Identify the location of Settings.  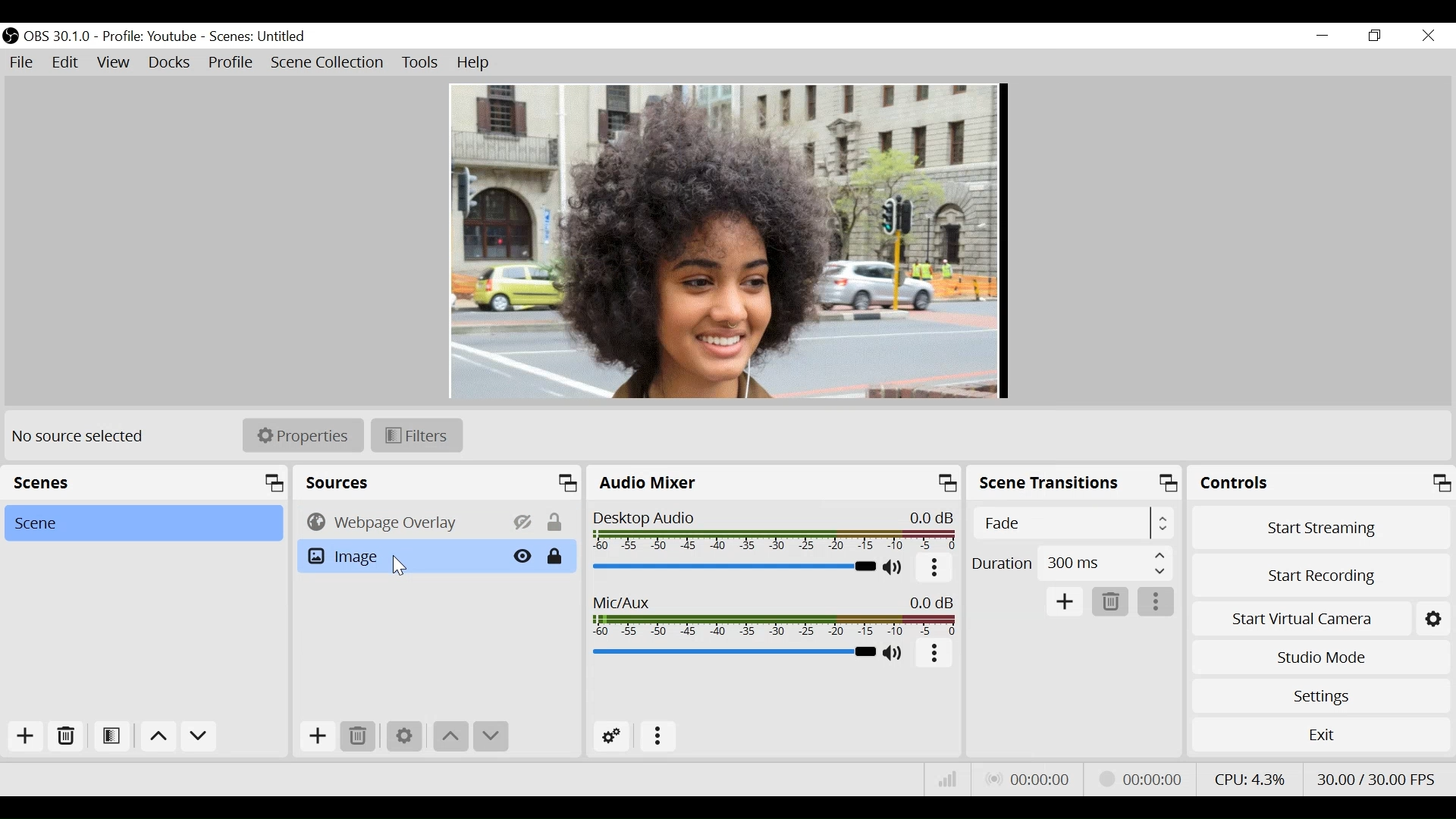
(1321, 696).